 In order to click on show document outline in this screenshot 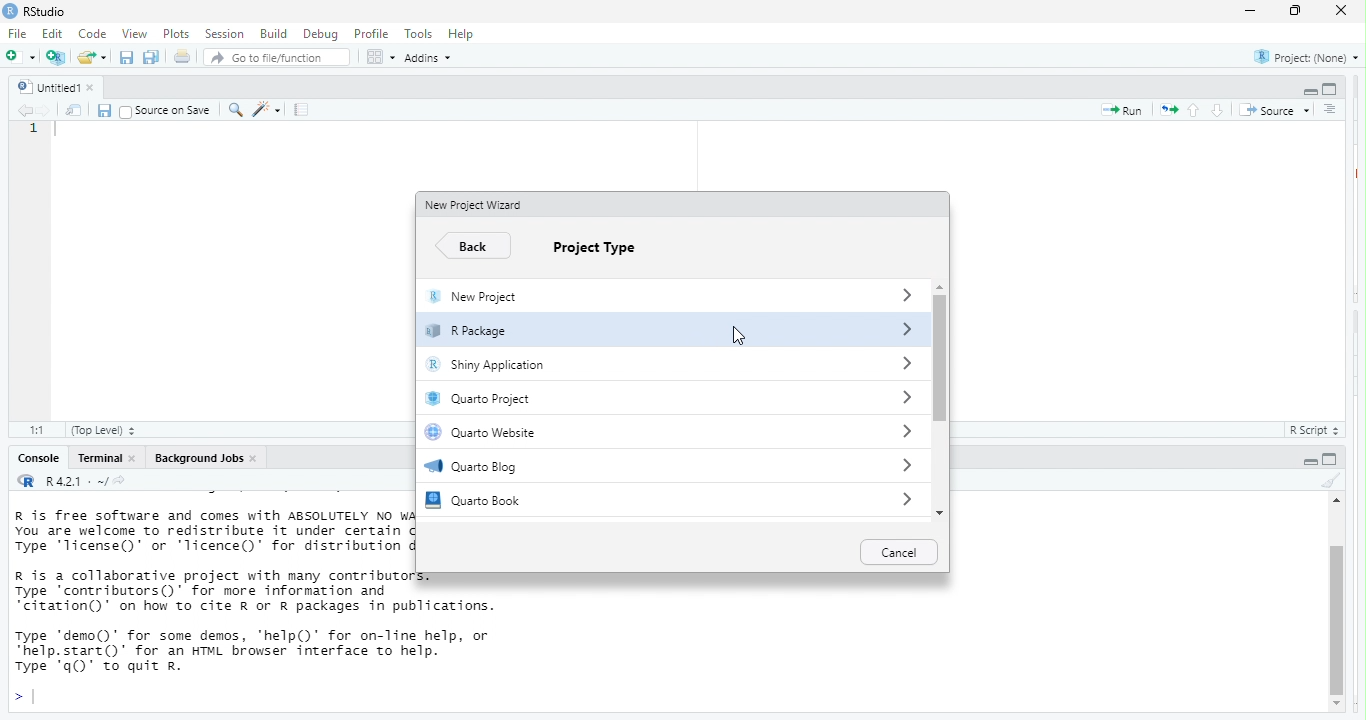, I will do `click(1329, 109)`.